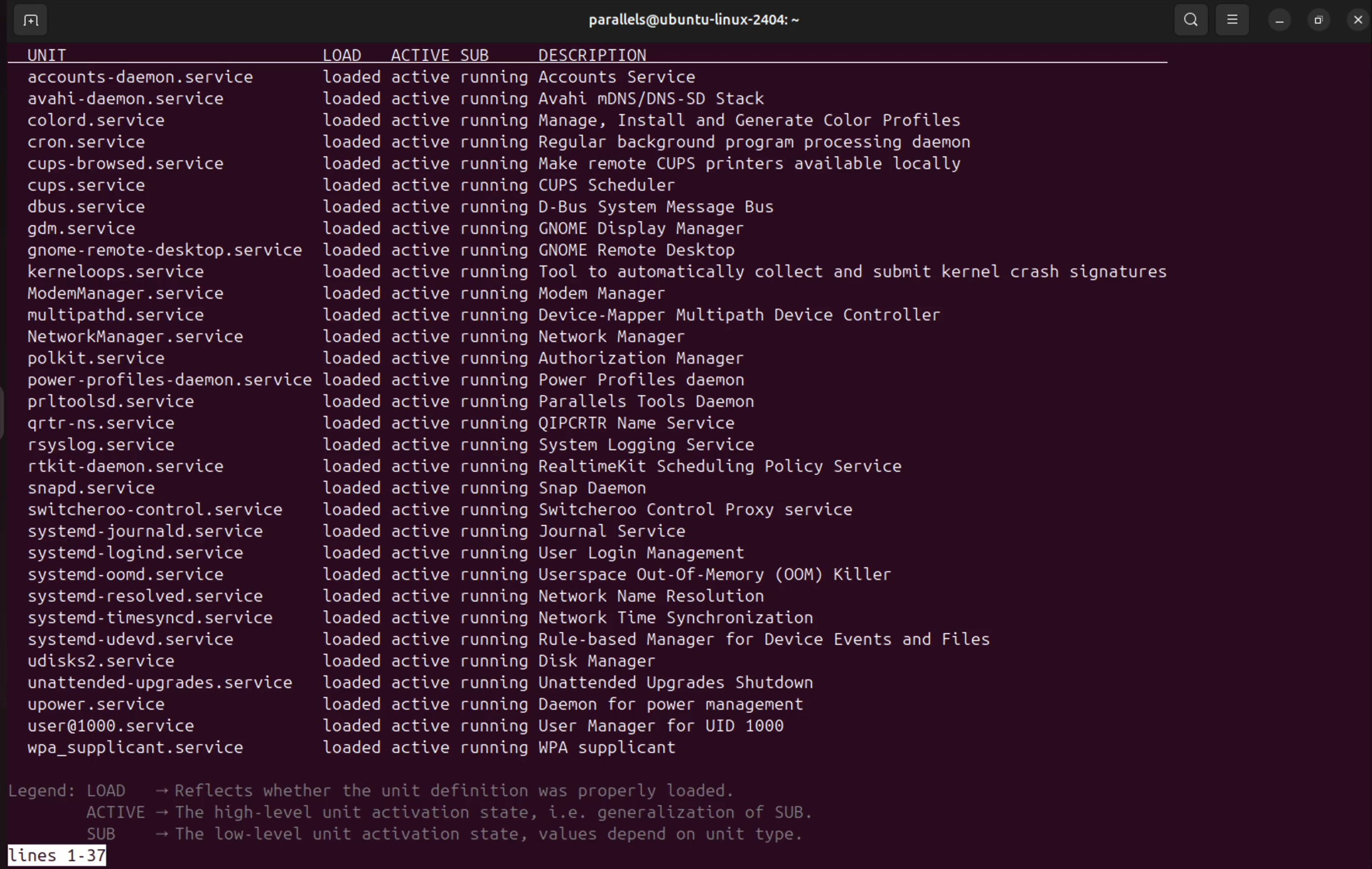 The height and width of the screenshot is (869, 1372). What do you see at coordinates (159, 511) in the screenshot?
I see `switch ero service` at bounding box center [159, 511].